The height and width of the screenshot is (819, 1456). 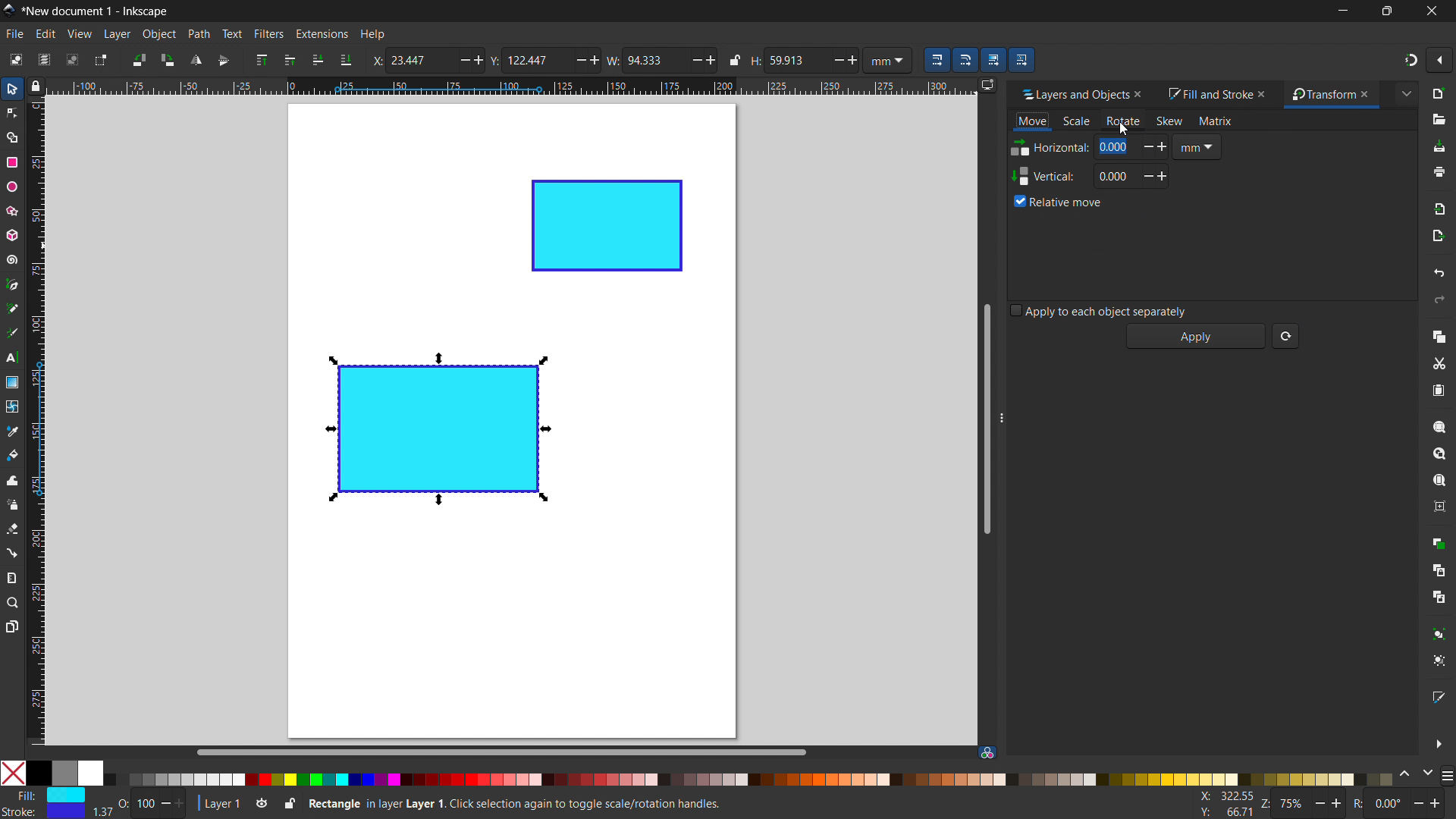 I want to click on more color opyions, so click(x=1447, y=774).